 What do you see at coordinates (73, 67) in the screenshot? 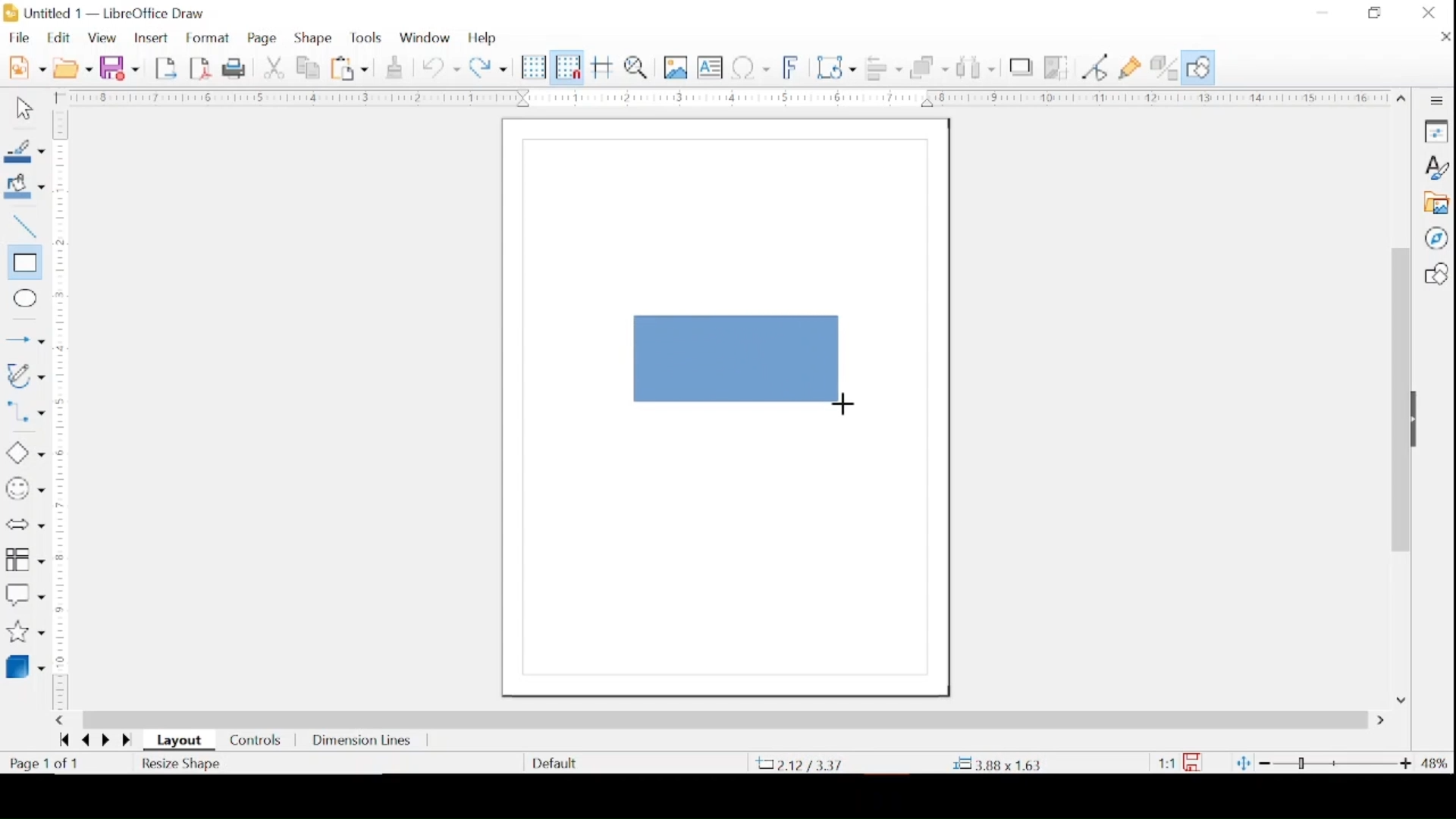
I see `open` at bounding box center [73, 67].